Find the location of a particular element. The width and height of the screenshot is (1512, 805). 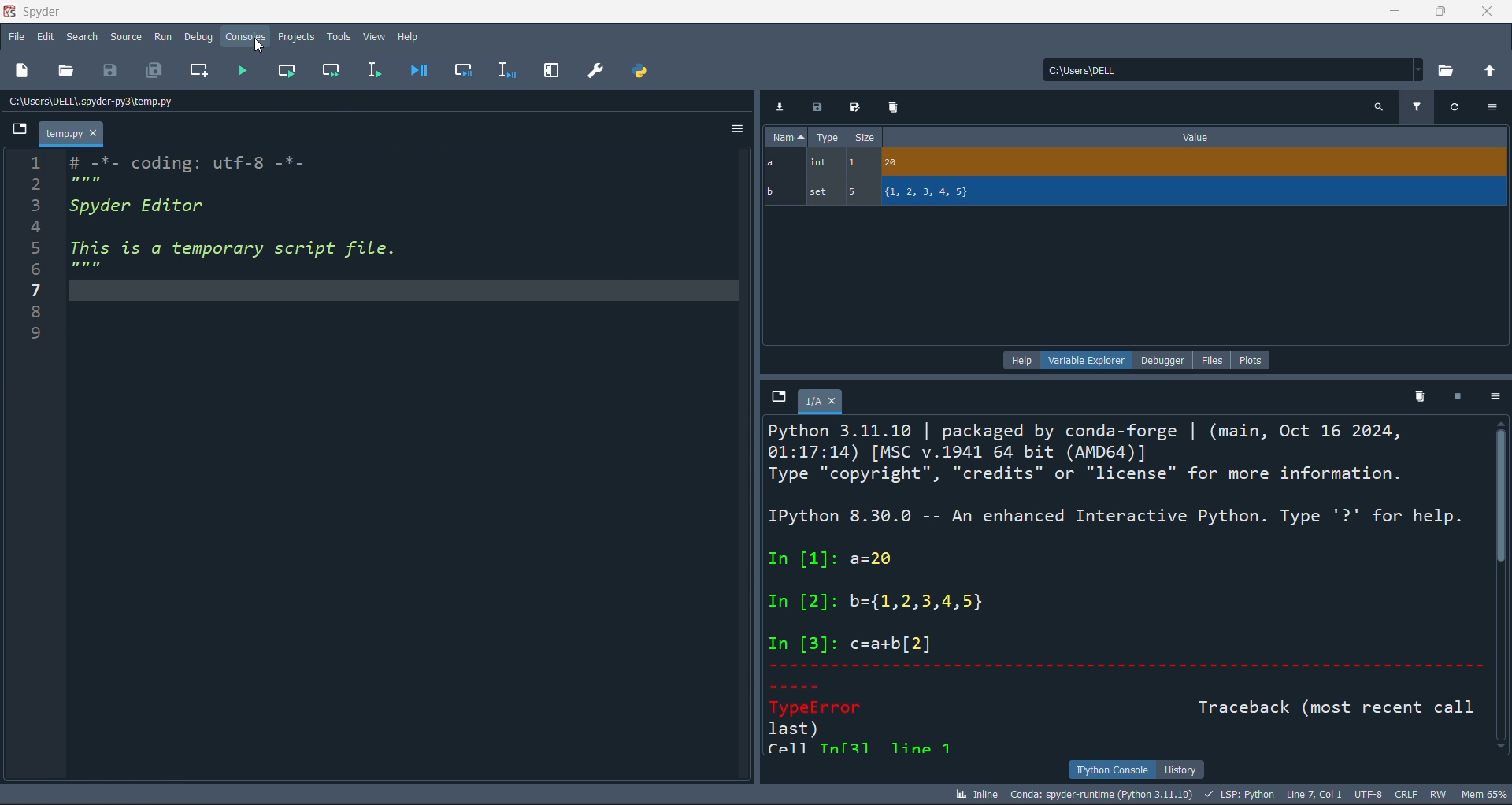

c:\users\dell is located at coordinates (1233, 67).